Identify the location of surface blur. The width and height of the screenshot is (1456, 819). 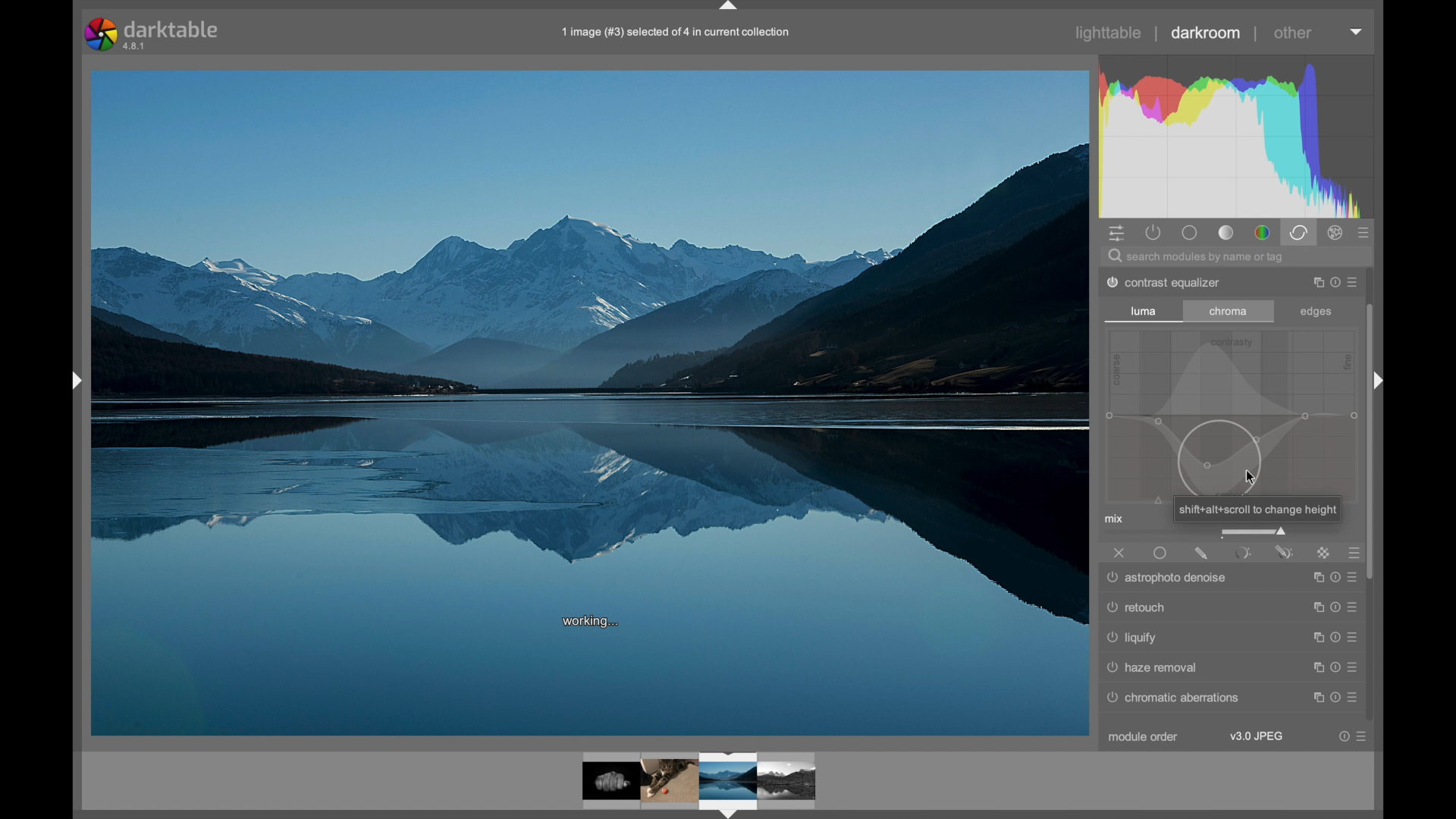
(1150, 611).